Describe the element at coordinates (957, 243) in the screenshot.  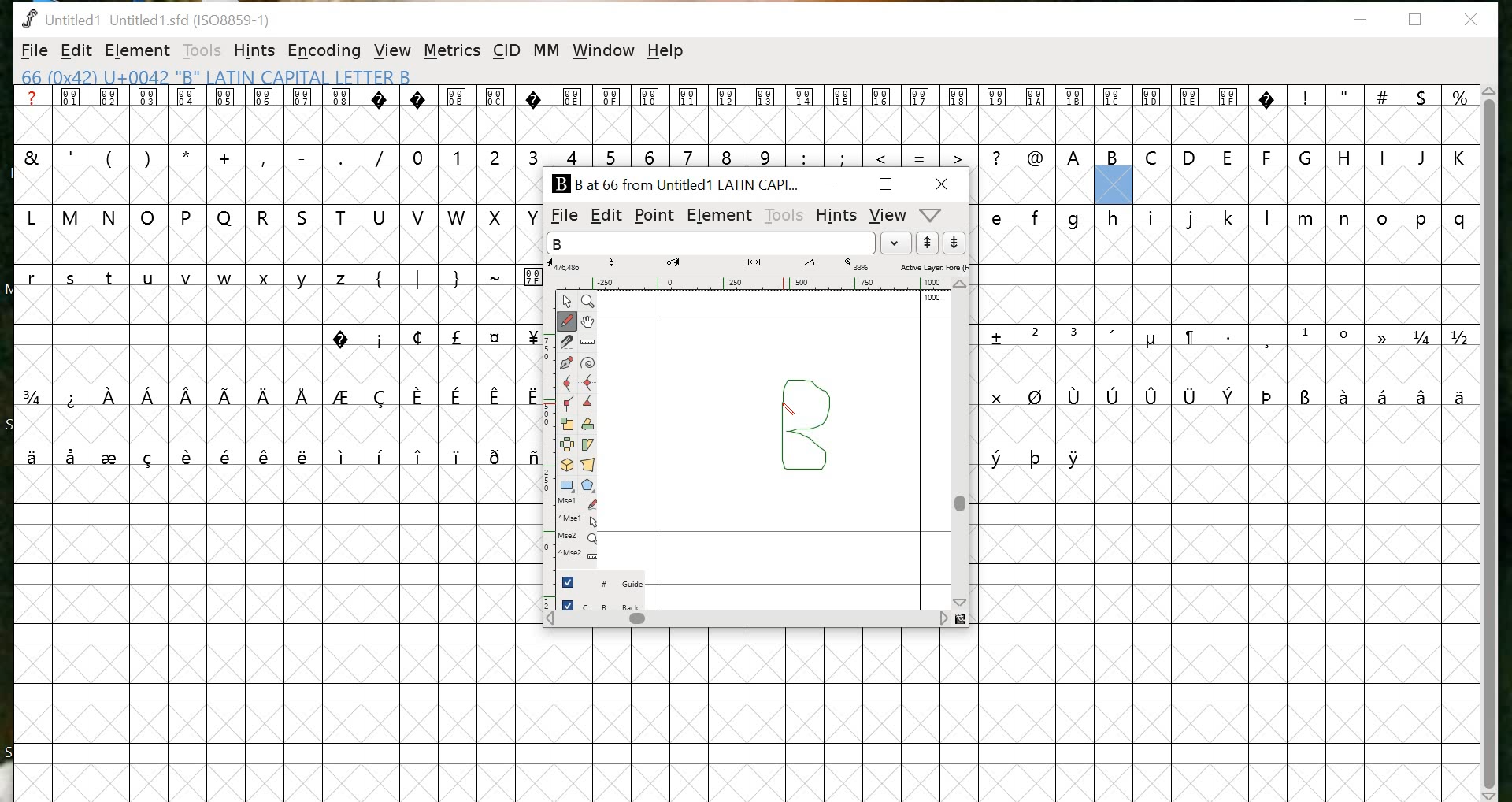
I see `down` at that location.